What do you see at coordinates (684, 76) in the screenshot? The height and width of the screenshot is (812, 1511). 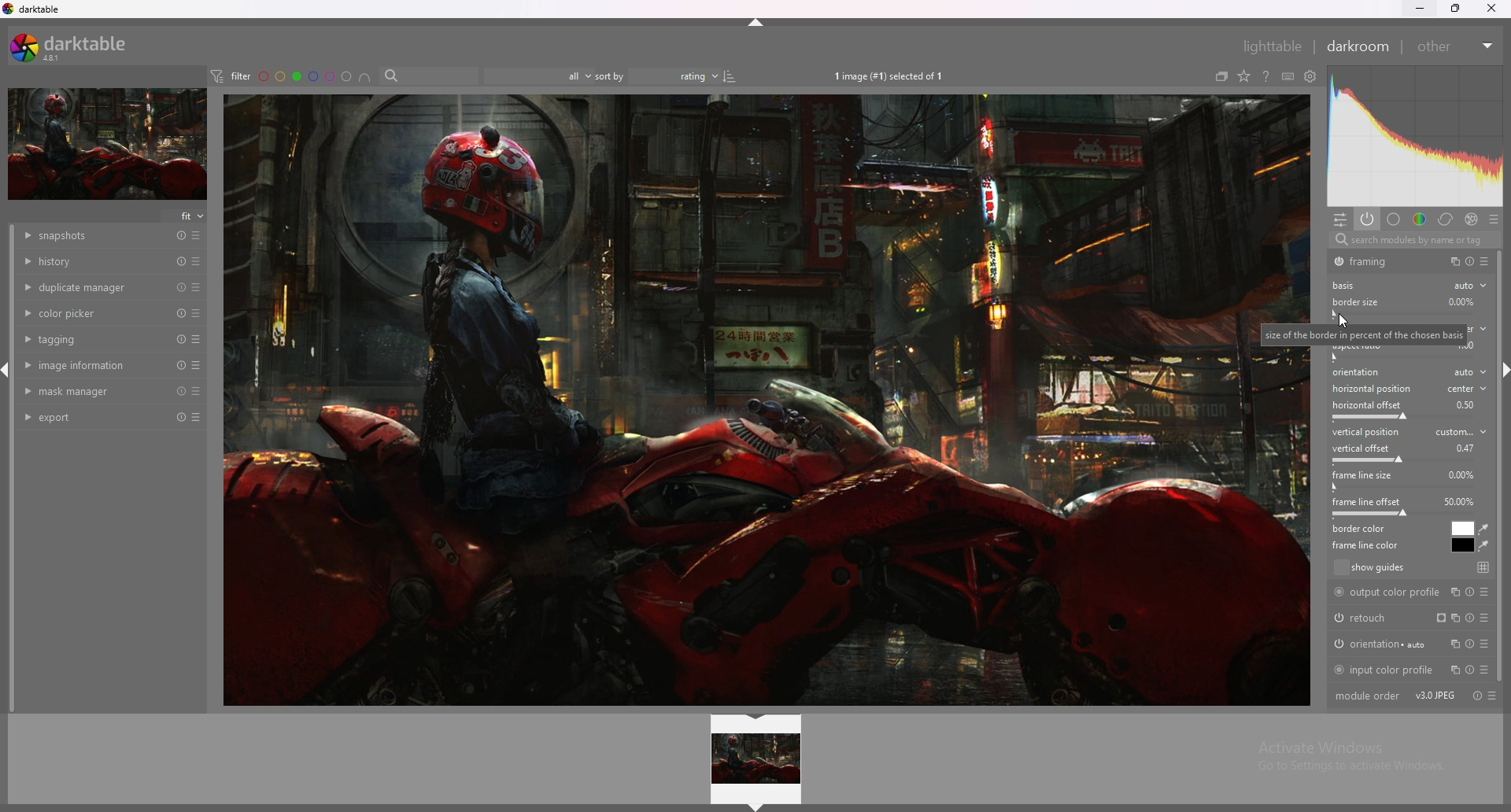 I see `rating` at bounding box center [684, 76].